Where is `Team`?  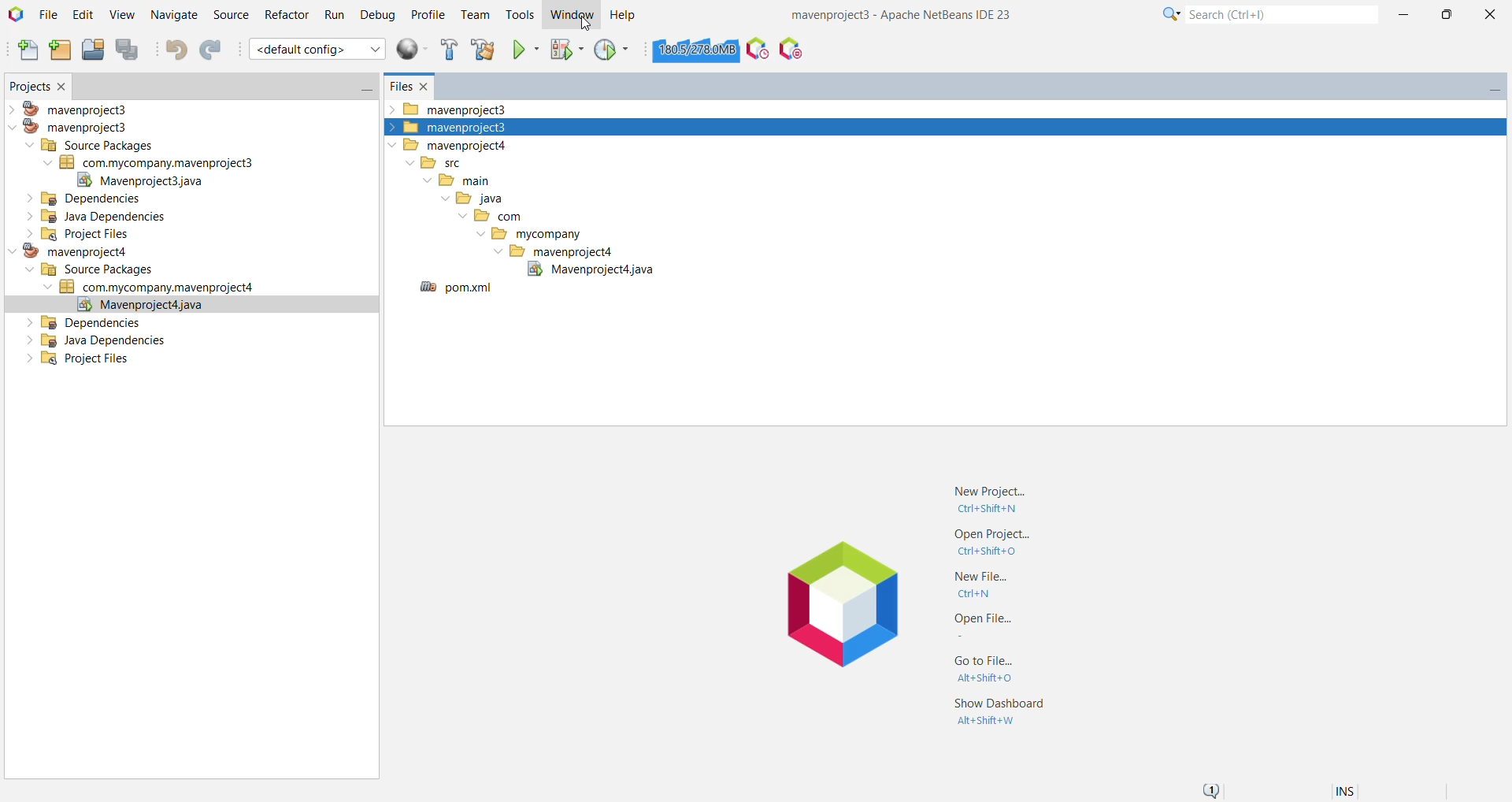 Team is located at coordinates (475, 16).